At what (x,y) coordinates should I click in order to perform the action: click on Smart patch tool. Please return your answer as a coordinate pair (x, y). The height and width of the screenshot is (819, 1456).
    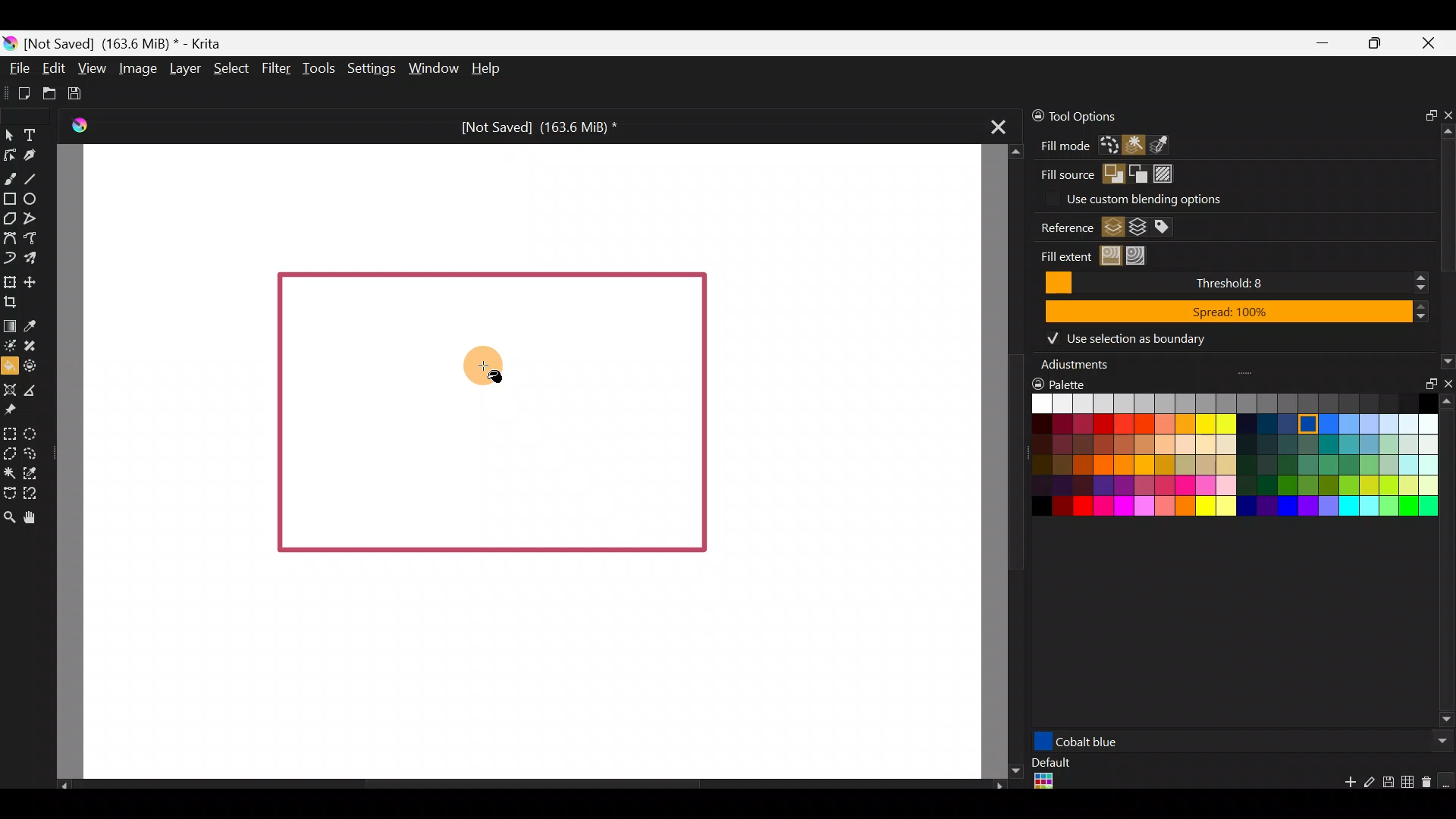
    Looking at the image, I should click on (36, 344).